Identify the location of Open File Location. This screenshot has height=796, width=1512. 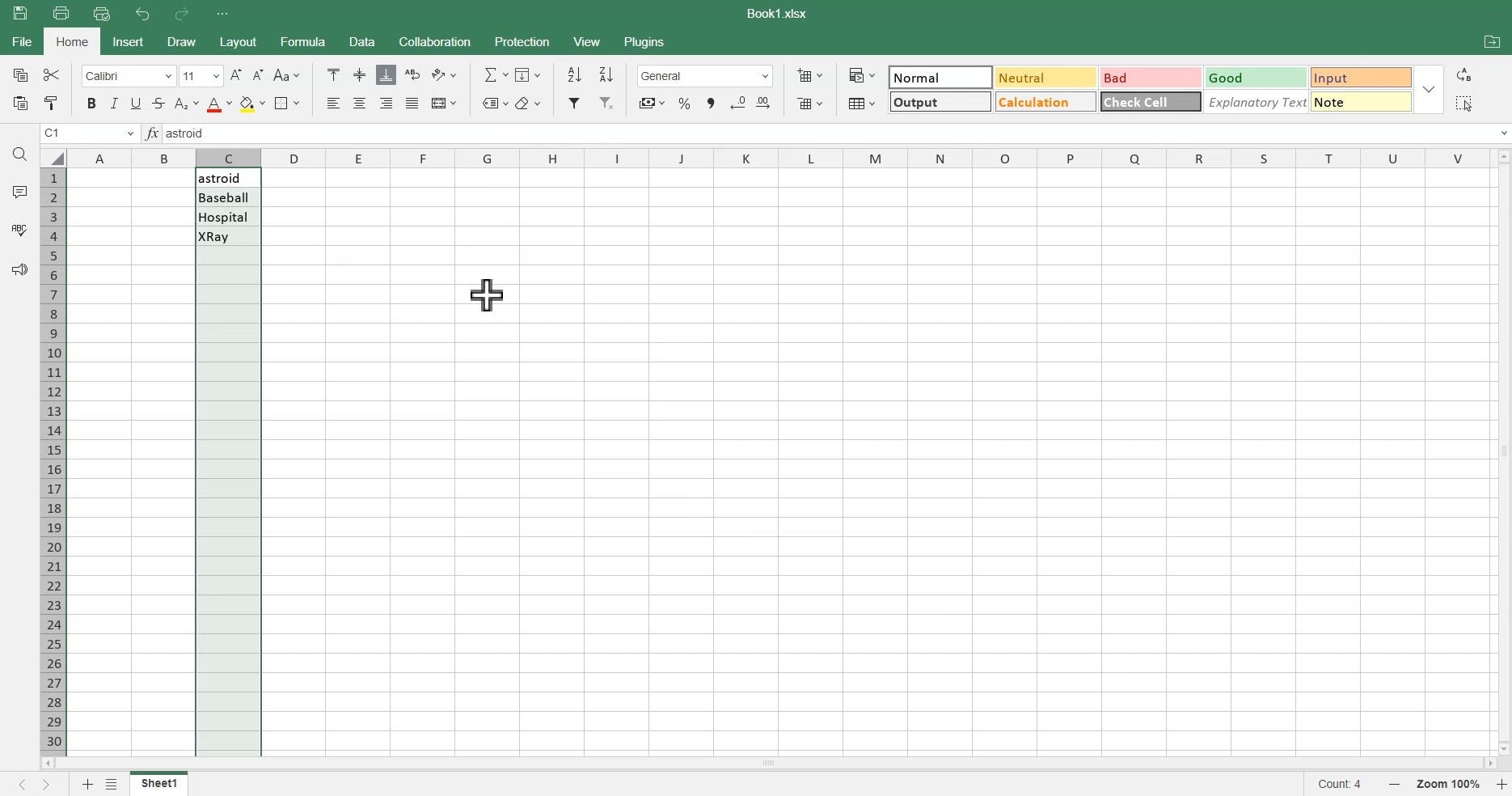
(1492, 44).